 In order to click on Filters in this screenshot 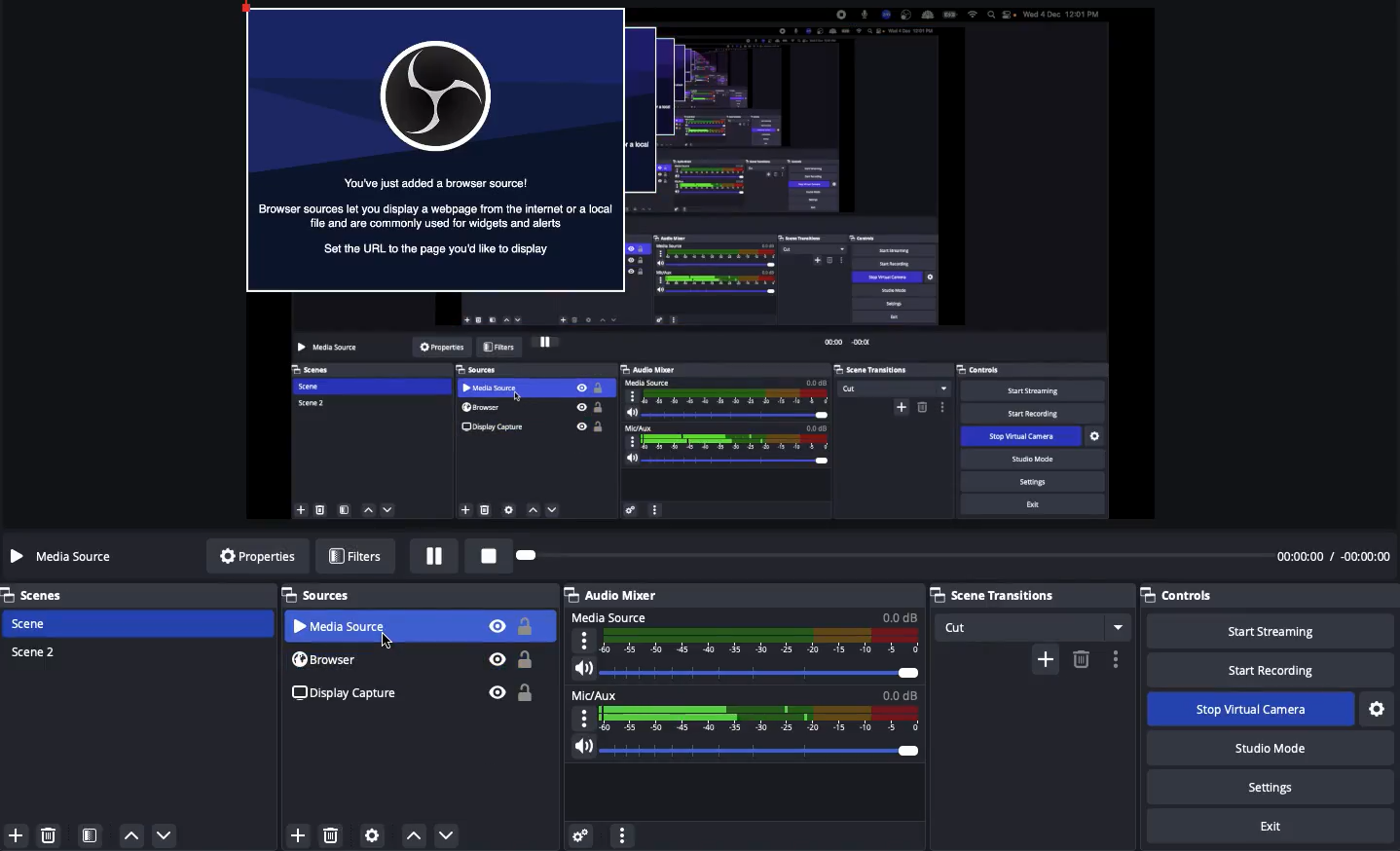, I will do `click(354, 555)`.